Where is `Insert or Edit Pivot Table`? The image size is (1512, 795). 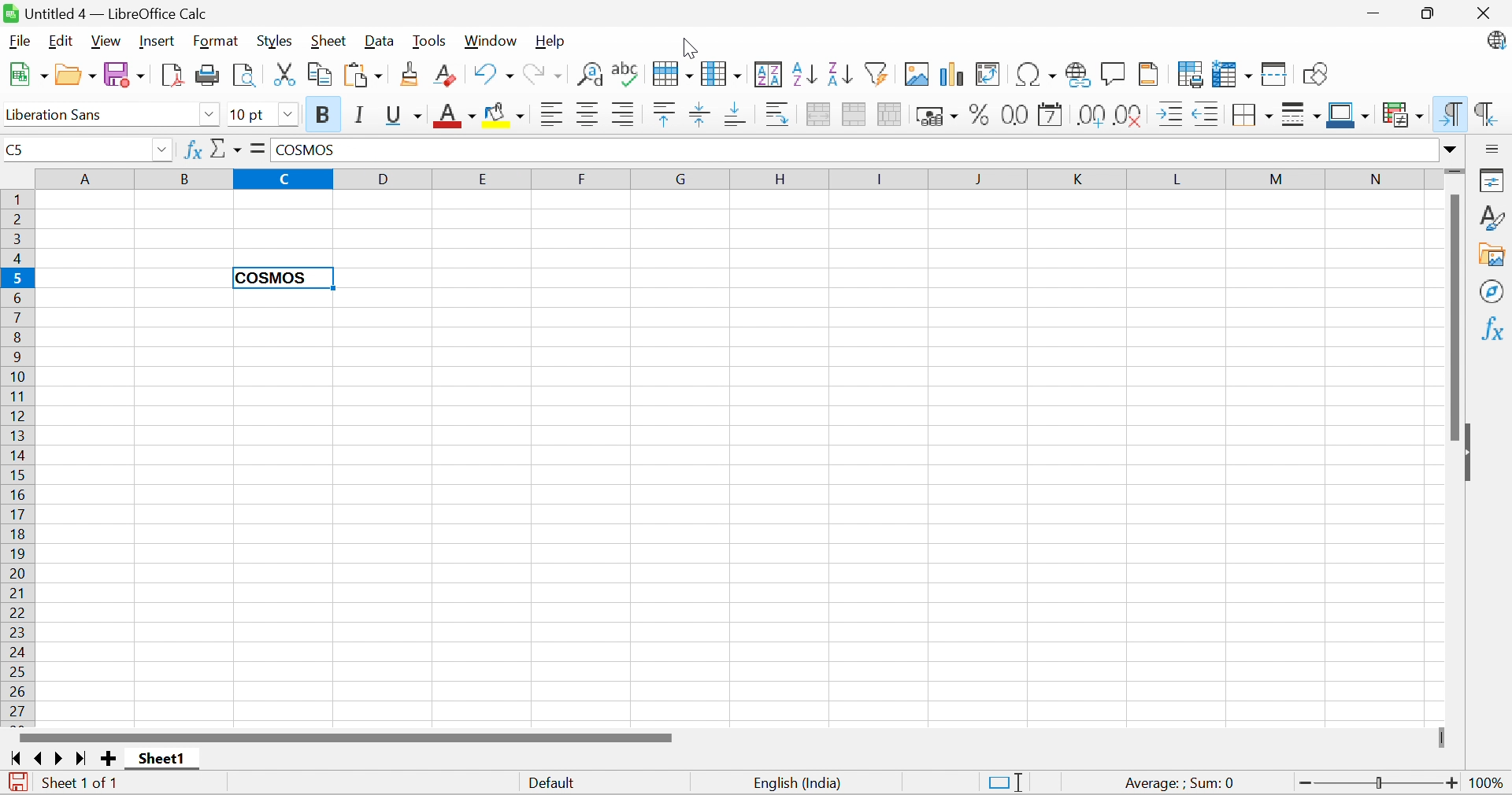
Insert or Edit Pivot Table is located at coordinates (991, 74).